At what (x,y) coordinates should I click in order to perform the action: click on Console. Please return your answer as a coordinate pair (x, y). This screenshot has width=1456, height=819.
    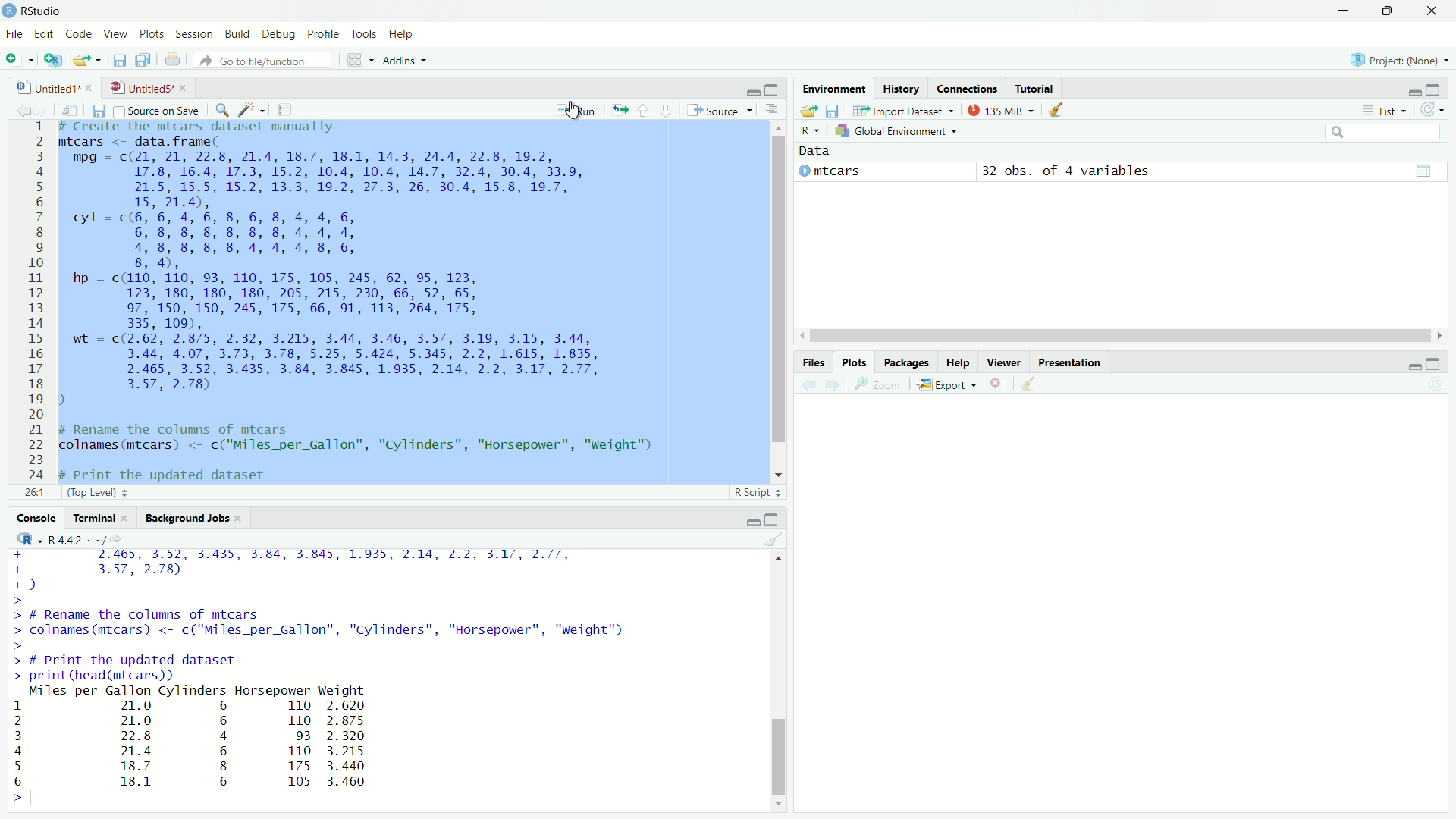
    Looking at the image, I should click on (34, 517).